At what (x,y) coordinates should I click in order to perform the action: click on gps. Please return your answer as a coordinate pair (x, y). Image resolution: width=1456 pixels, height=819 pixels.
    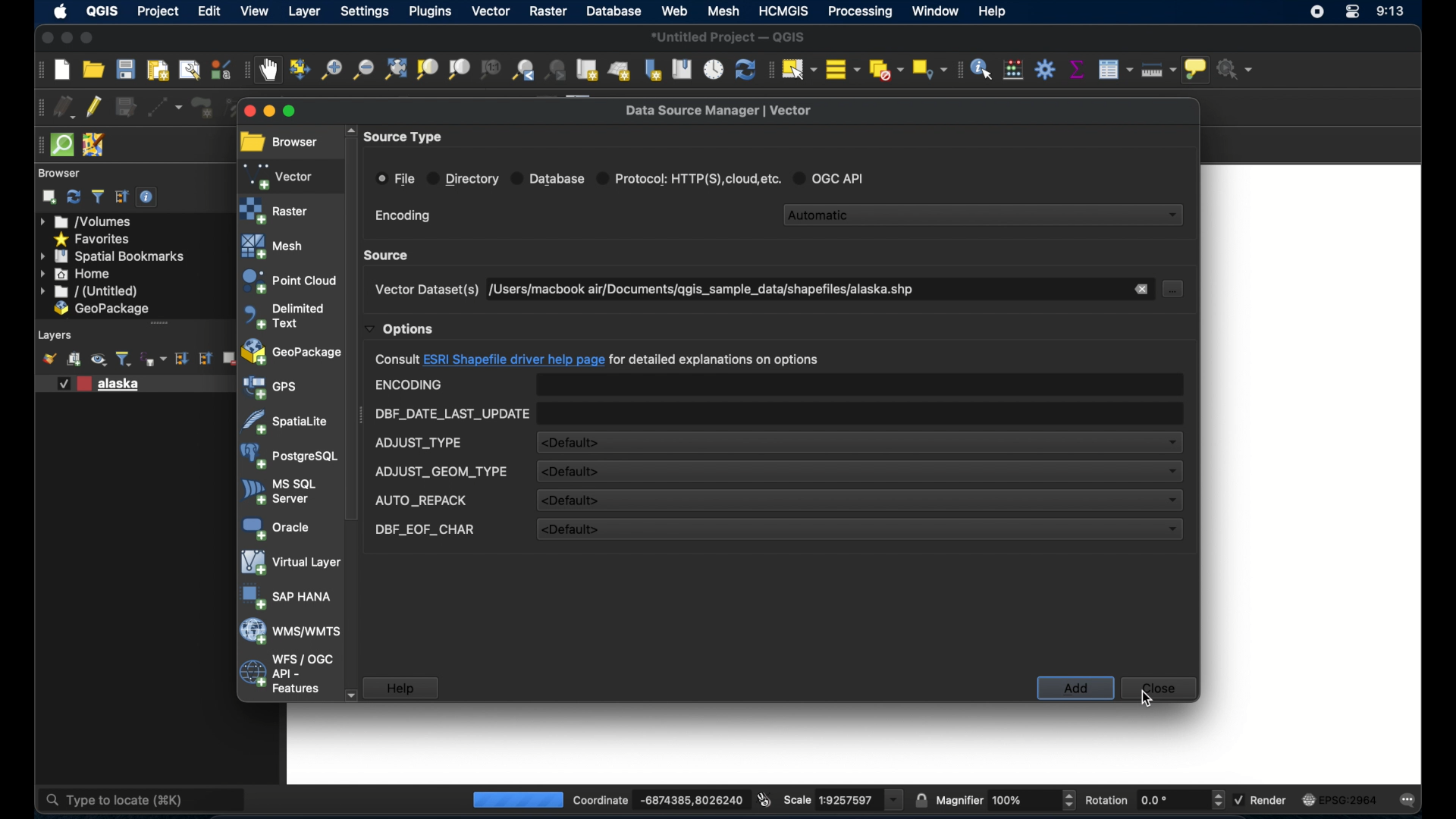
    Looking at the image, I should click on (271, 388).